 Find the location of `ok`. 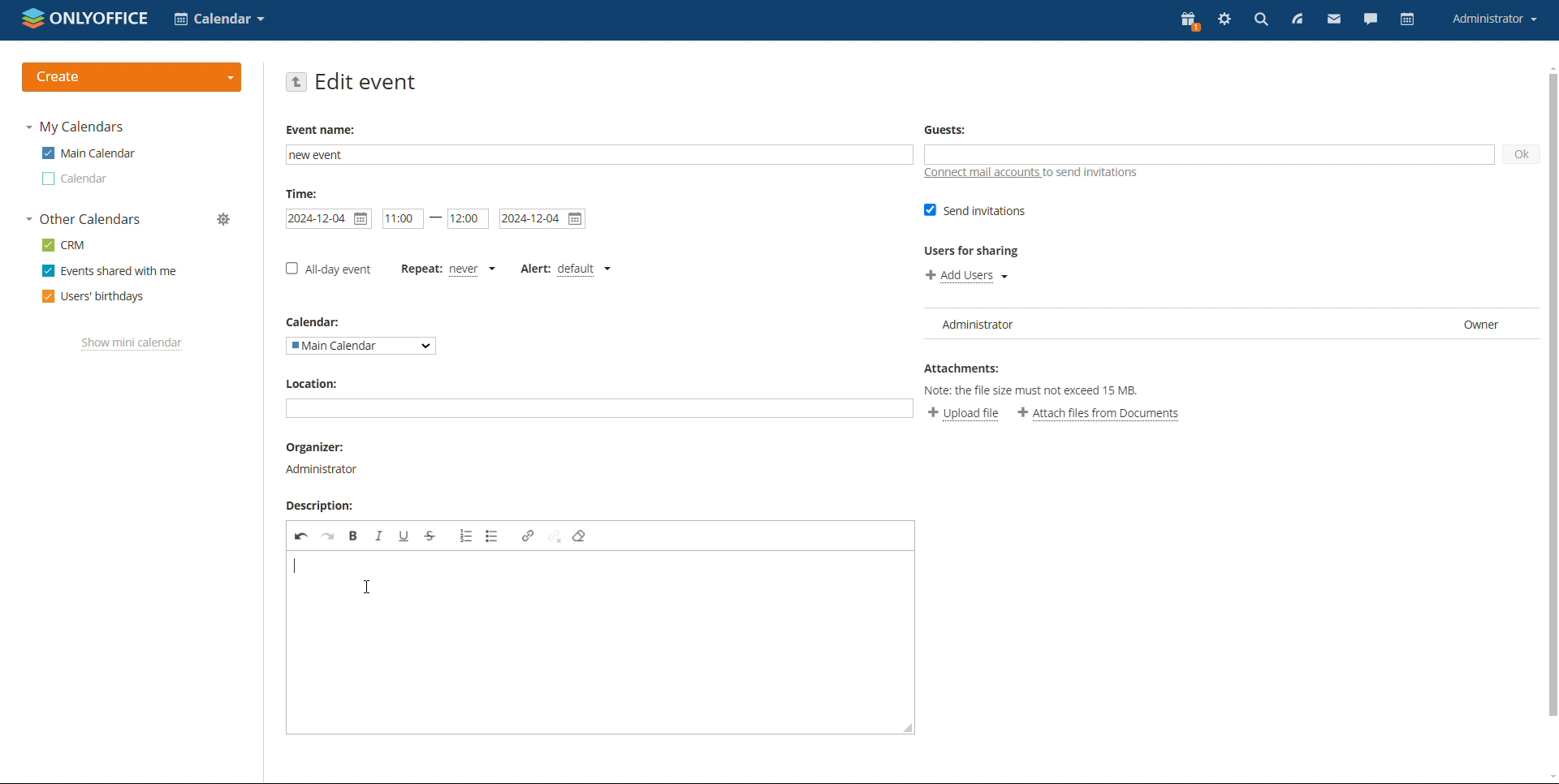

ok is located at coordinates (1522, 154).